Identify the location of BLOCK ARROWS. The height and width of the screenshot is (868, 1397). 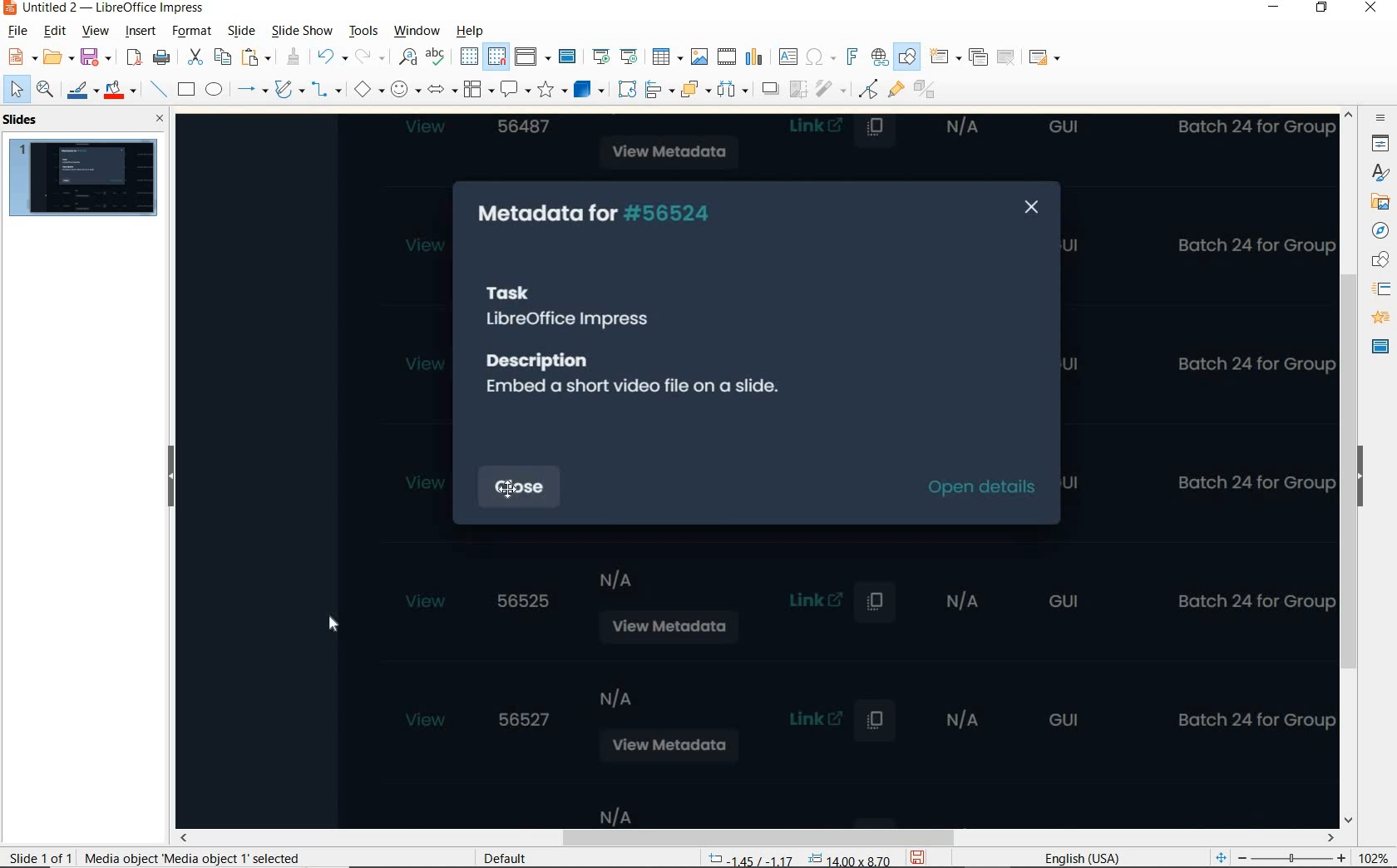
(442, 89).